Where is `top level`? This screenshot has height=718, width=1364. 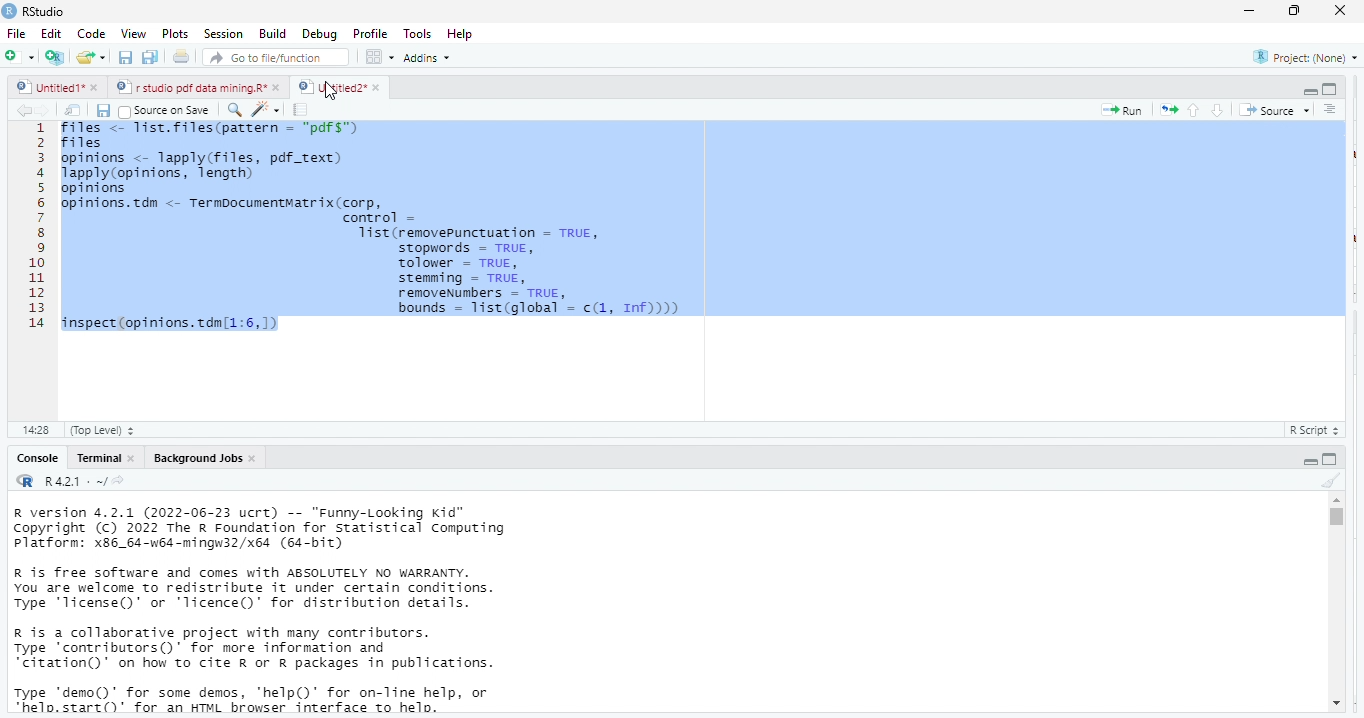 top level is located at coordinates (108, 430).